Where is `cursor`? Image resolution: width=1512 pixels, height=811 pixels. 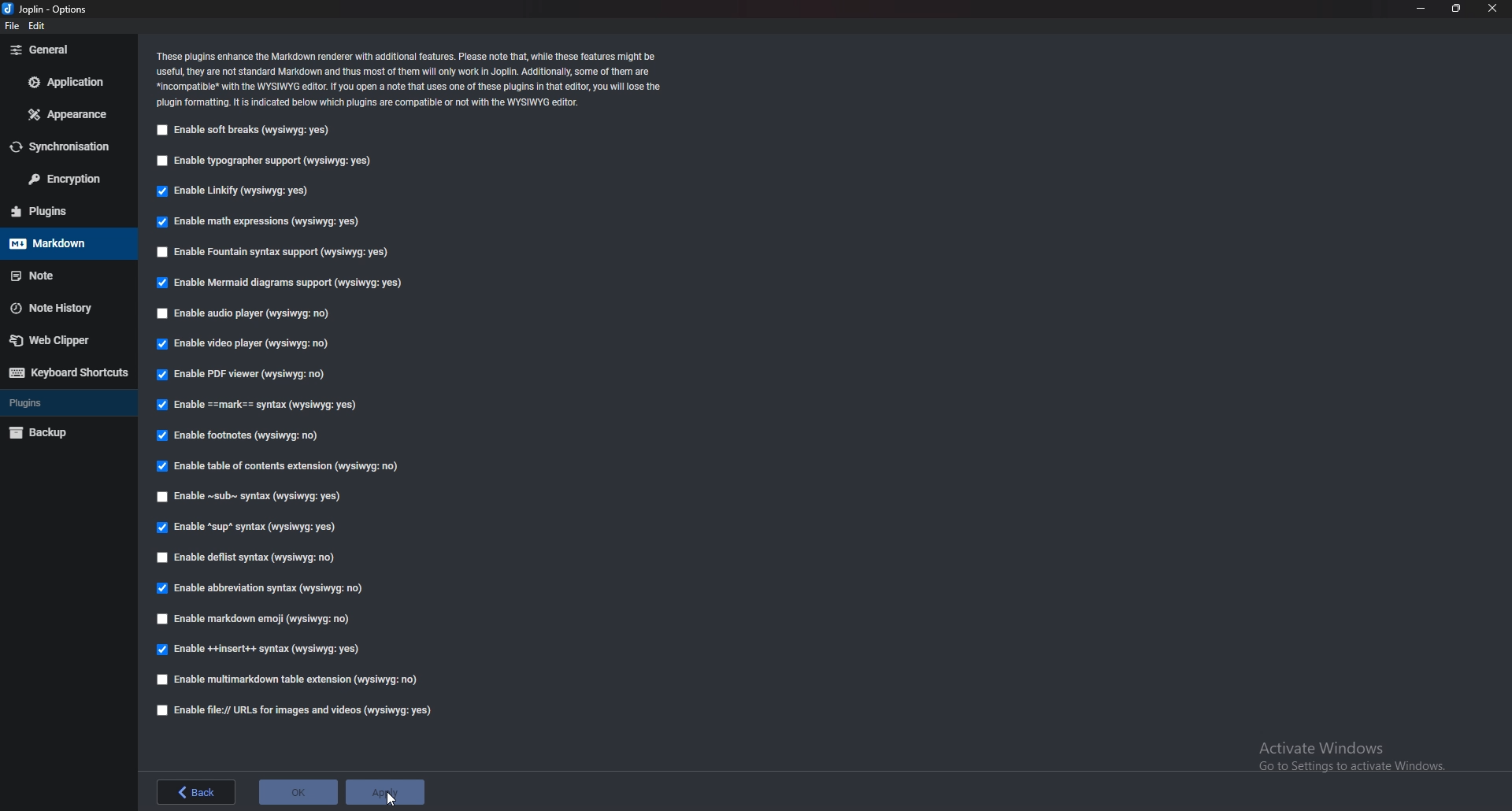 cursor is located at coordinates (392, 800).